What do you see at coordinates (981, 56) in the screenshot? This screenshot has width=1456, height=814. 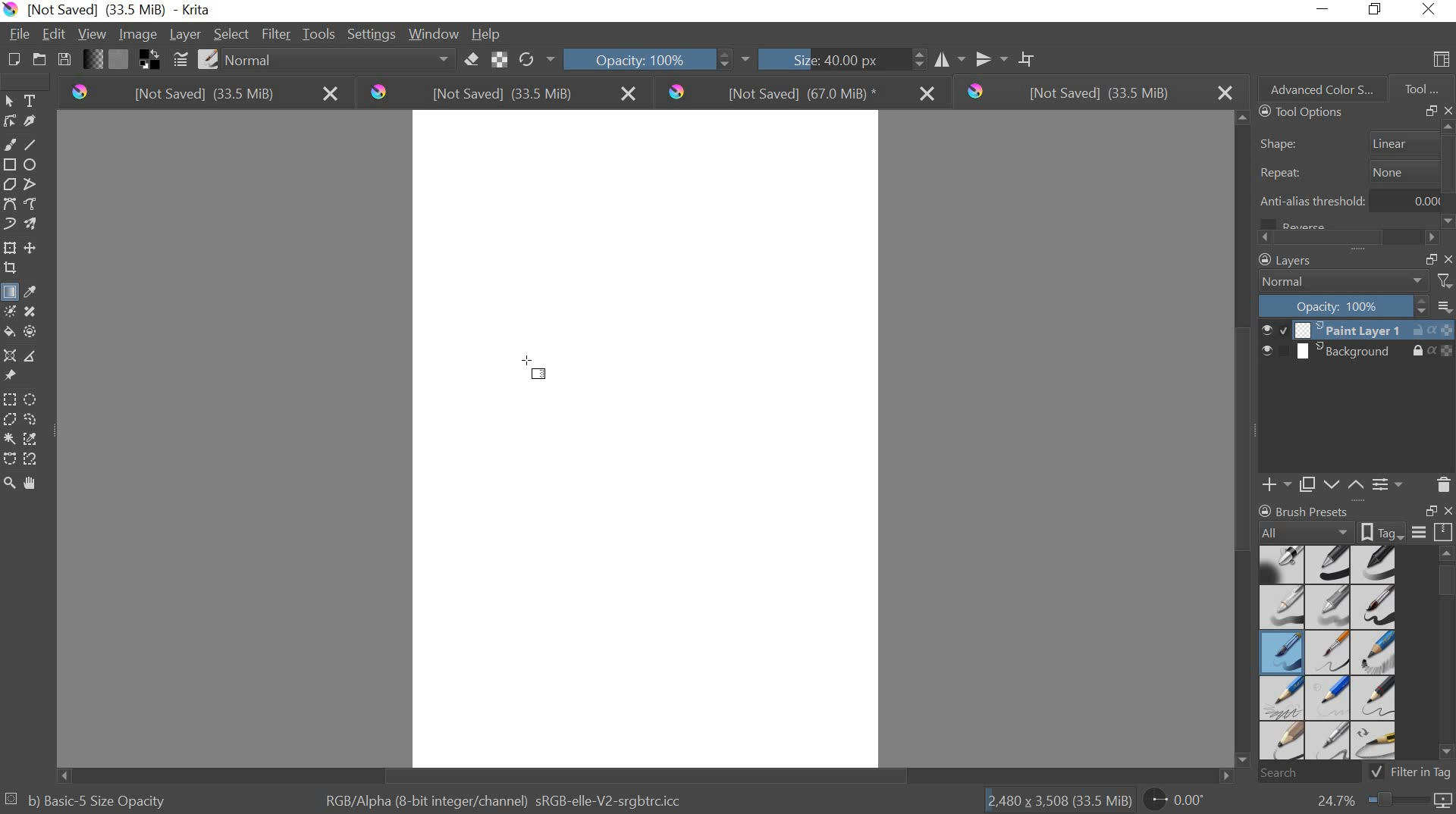 I see `VERTICAL MIRROR TOOL` at bounding box center [981, 56].